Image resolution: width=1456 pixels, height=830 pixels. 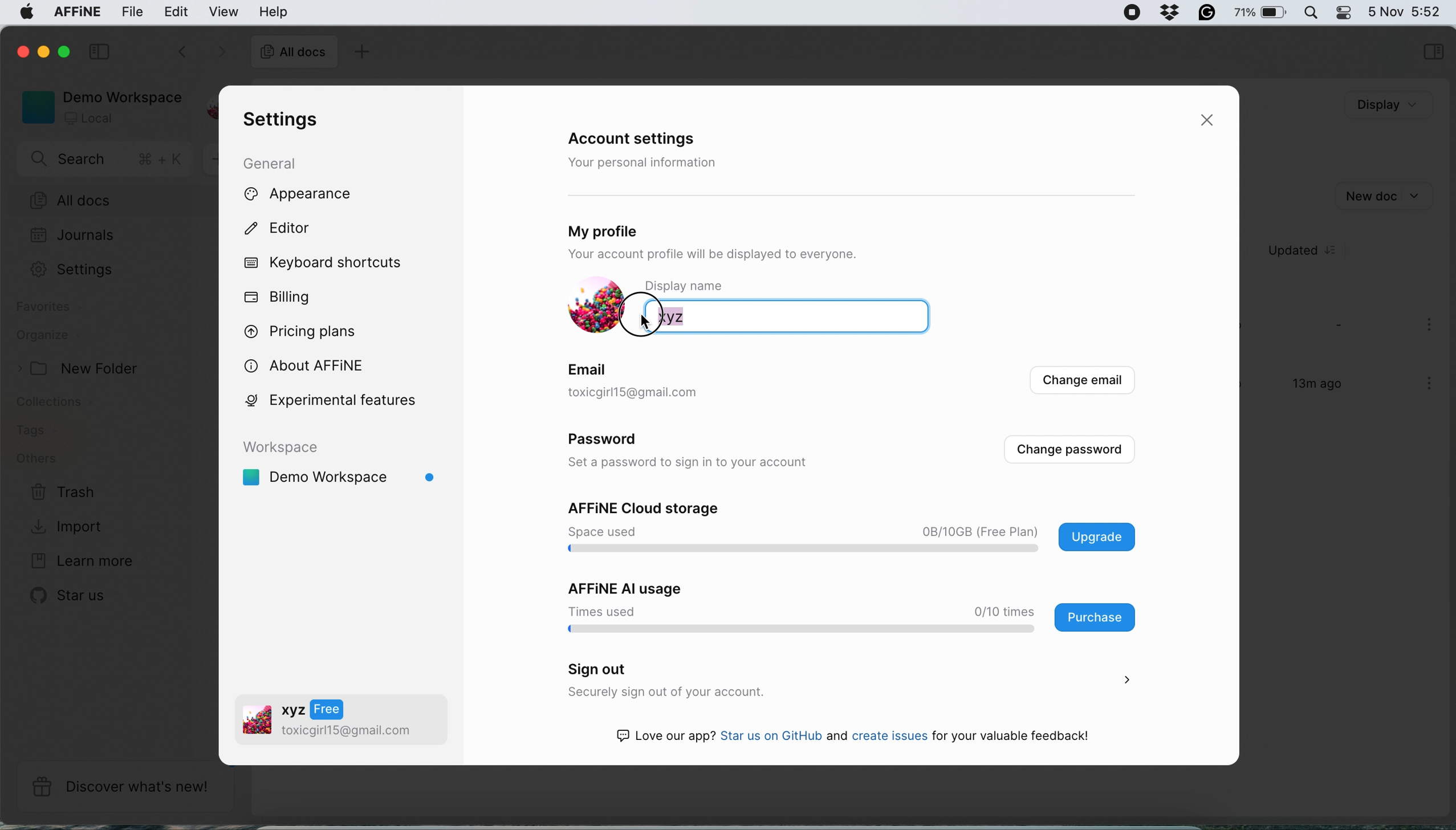 I want to click on Your account profile will be displayed to everyone., so click(x=758, y=255).